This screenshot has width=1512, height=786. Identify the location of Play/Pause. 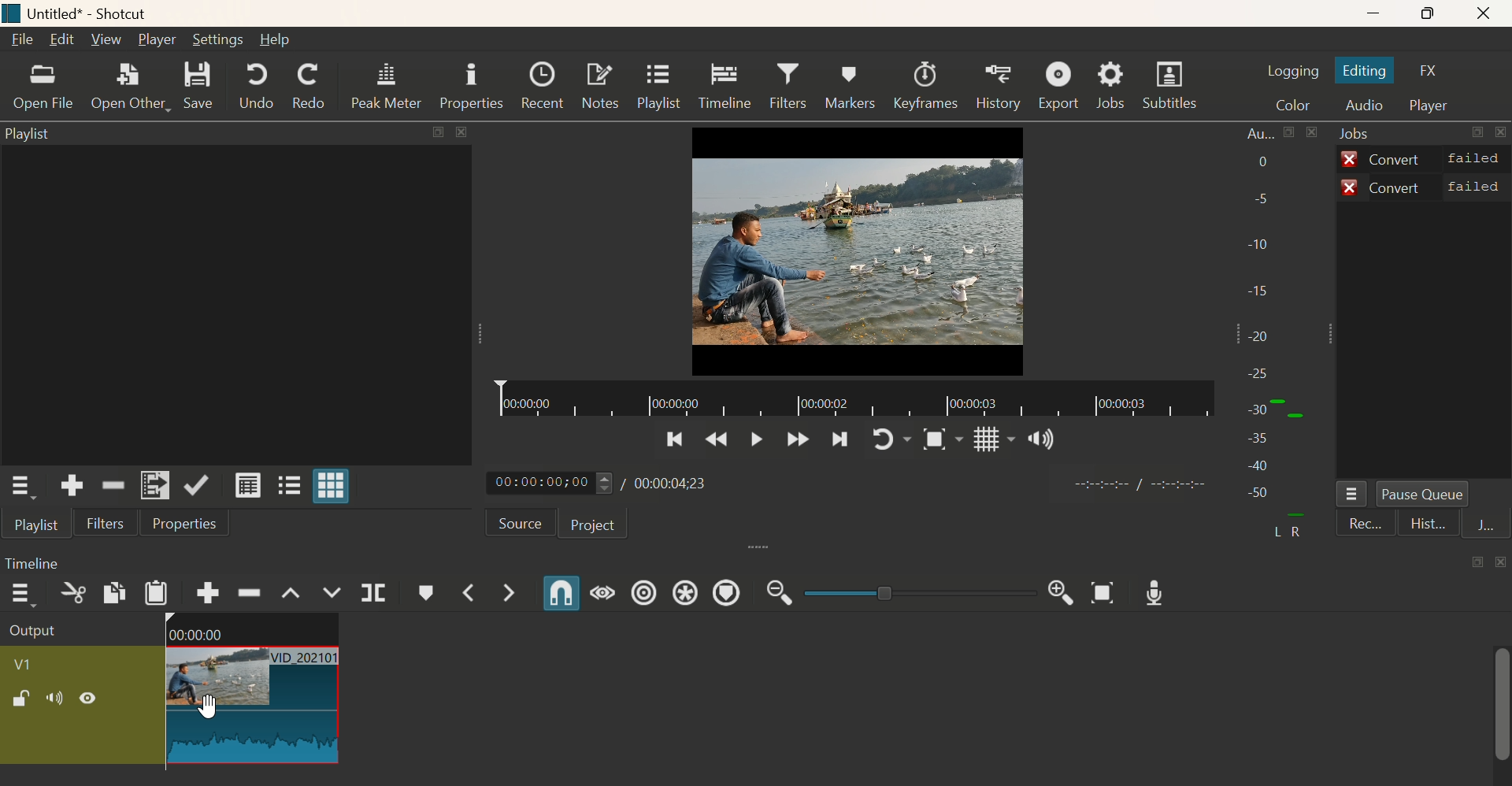
(752, 444).